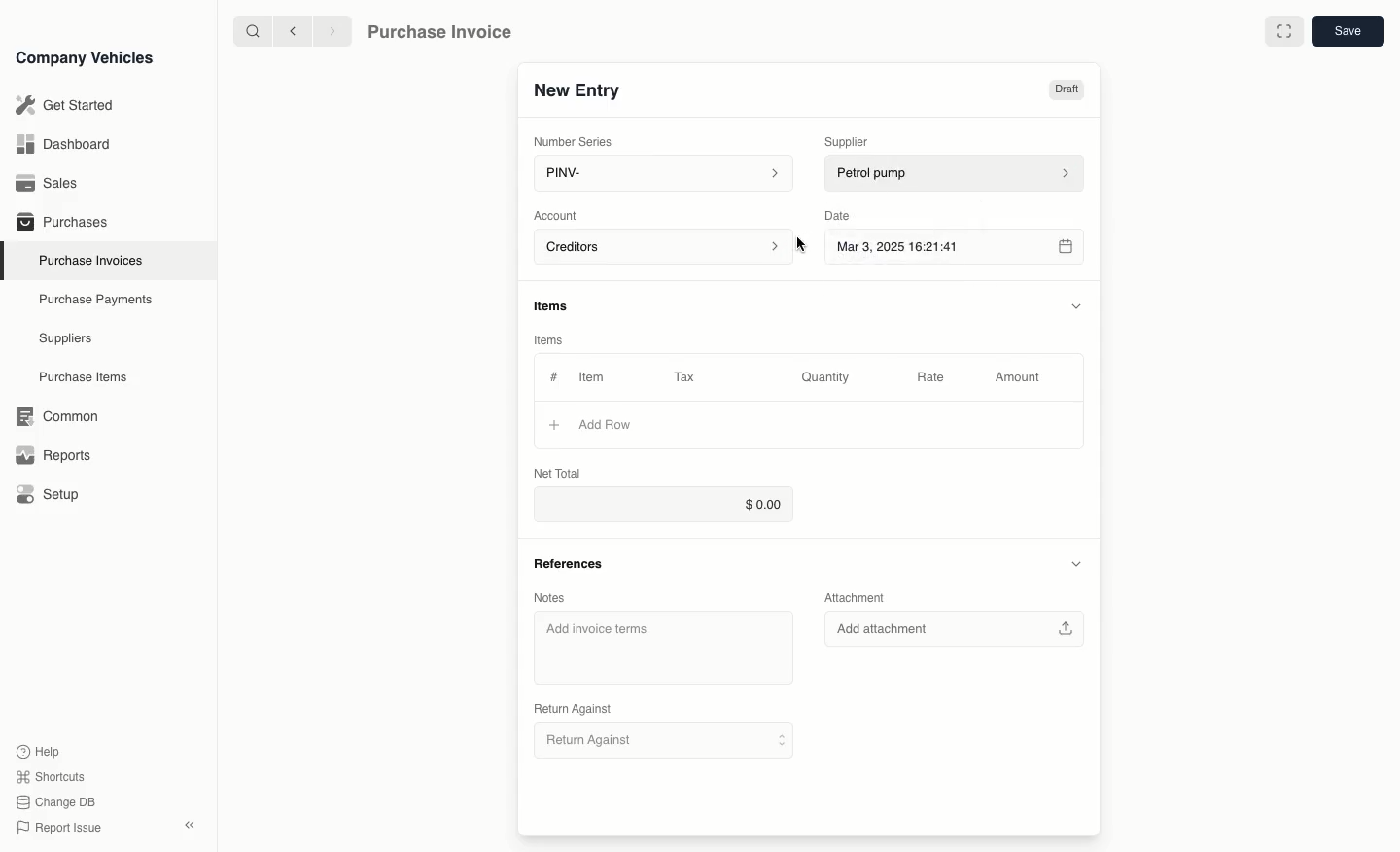 Image resolution: width=1400 pixels, height=852 pixels. What do you see at coordinates (861, 597) in the screenshot?
I see `Attachment` at bounding box center [861, 597].